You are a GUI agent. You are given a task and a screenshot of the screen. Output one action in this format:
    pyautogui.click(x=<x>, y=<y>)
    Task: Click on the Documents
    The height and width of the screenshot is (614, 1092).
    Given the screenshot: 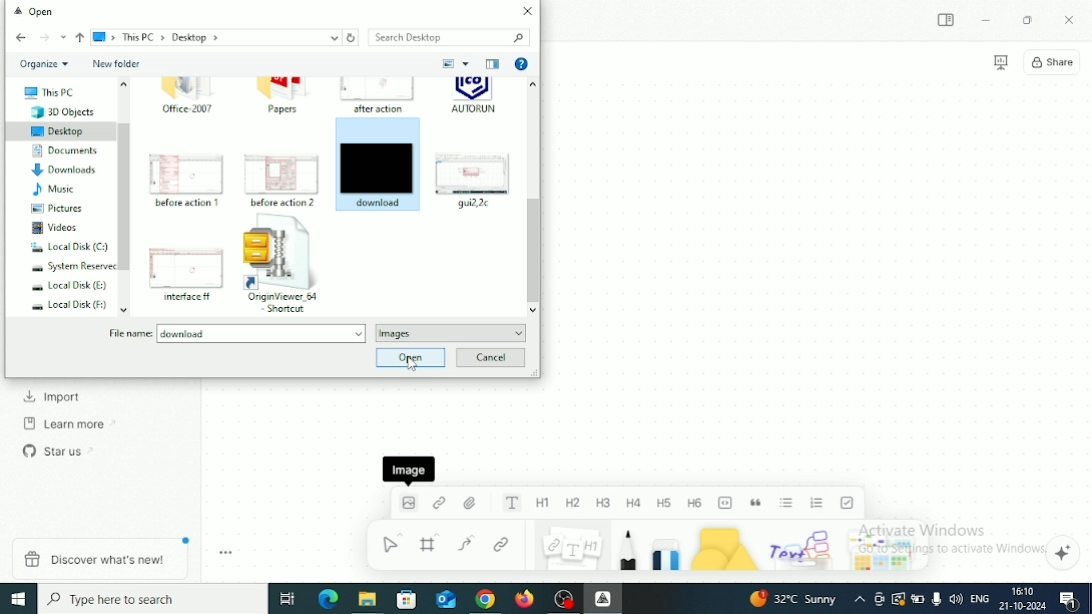 What is the action you would take?
    pyautogui.click(x=58, y=151)
    